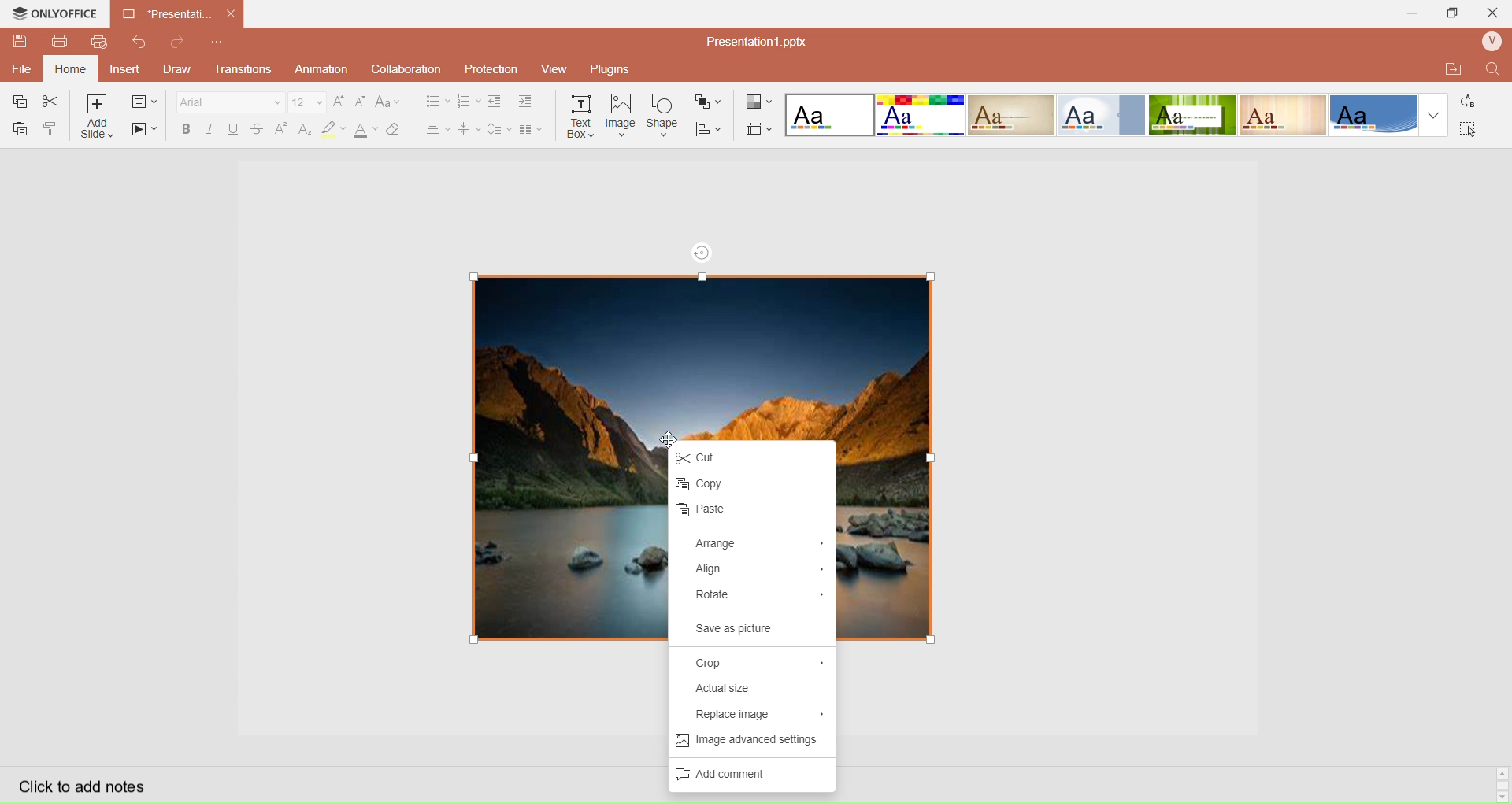 Image resolution: width=1512 pixels, height=803 pixels. Describe the element at coordinates (21, 41) in the screenshot. I see `QuickSave` at that location.